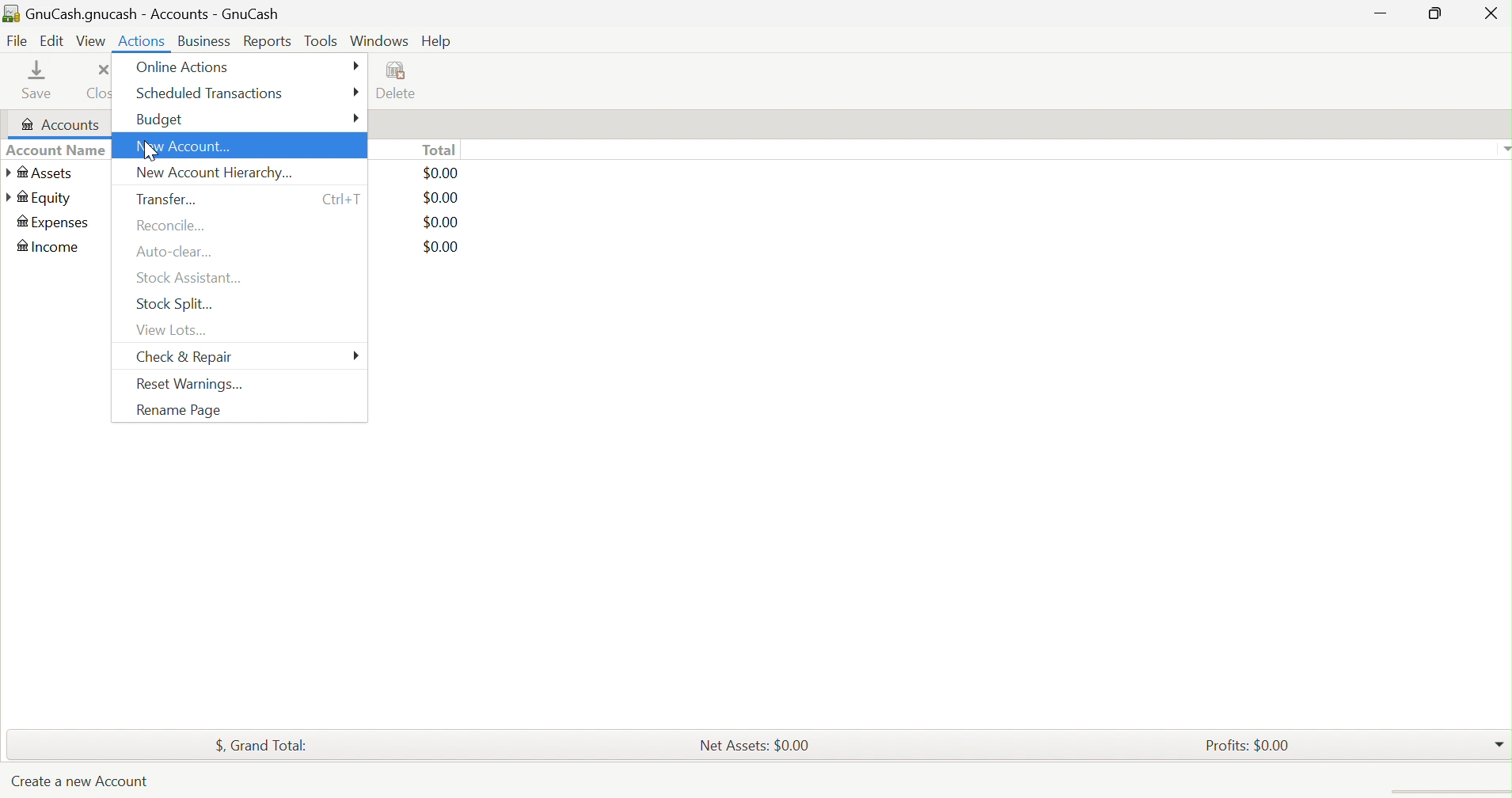 This screenshot has width=1512, height=798. Describe the element at coordinates (168, 199) in the screenshot. I see `Transfer...` at that location.